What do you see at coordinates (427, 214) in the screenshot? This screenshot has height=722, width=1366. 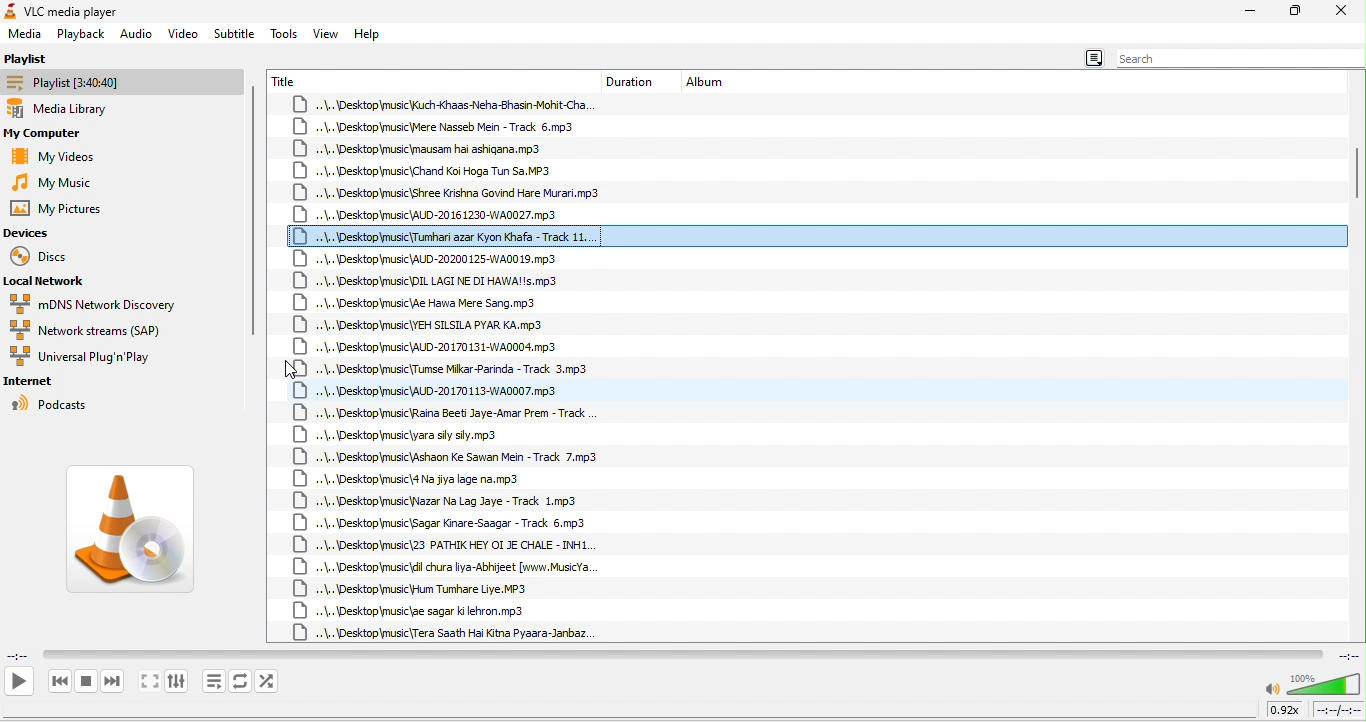 I see `\..\Desktop\music\AUD-20161230-WA0027.mp3` at bounding box center [427, 214].